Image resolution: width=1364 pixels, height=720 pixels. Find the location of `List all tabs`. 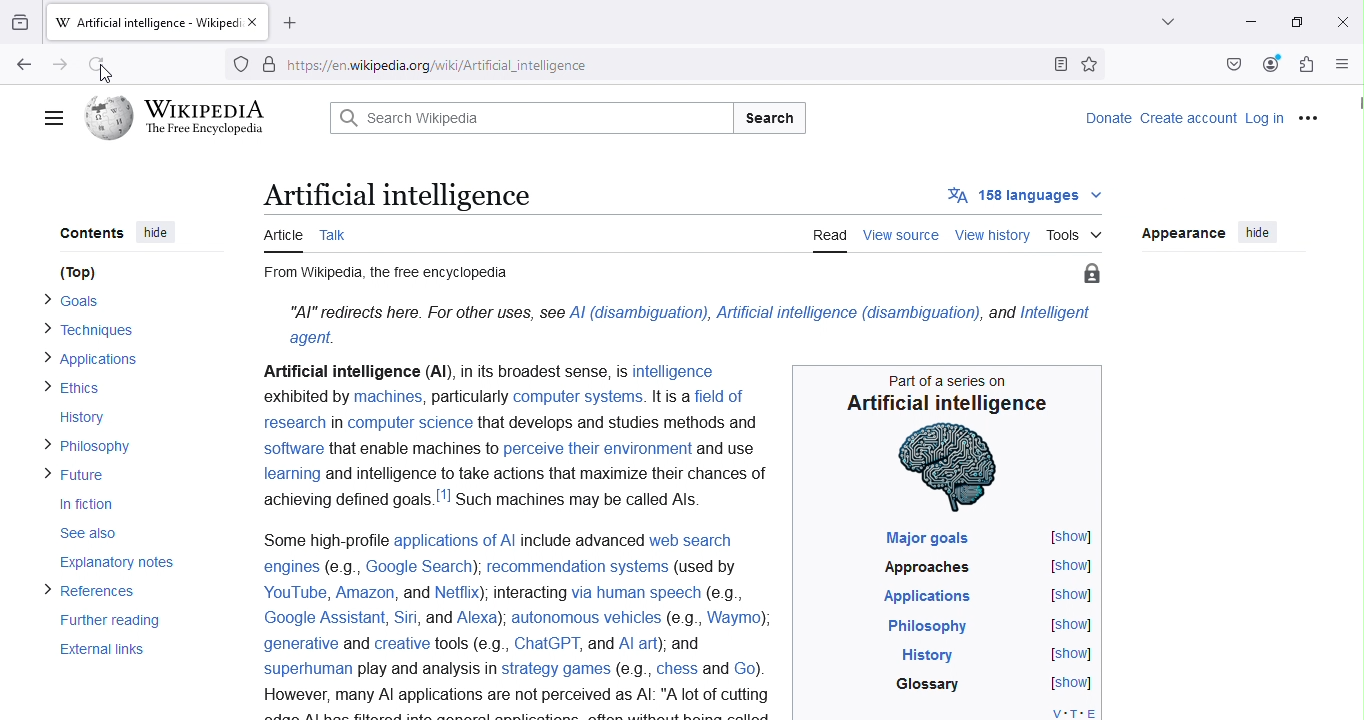

List all tabs is located at coordinates (1159, 26).